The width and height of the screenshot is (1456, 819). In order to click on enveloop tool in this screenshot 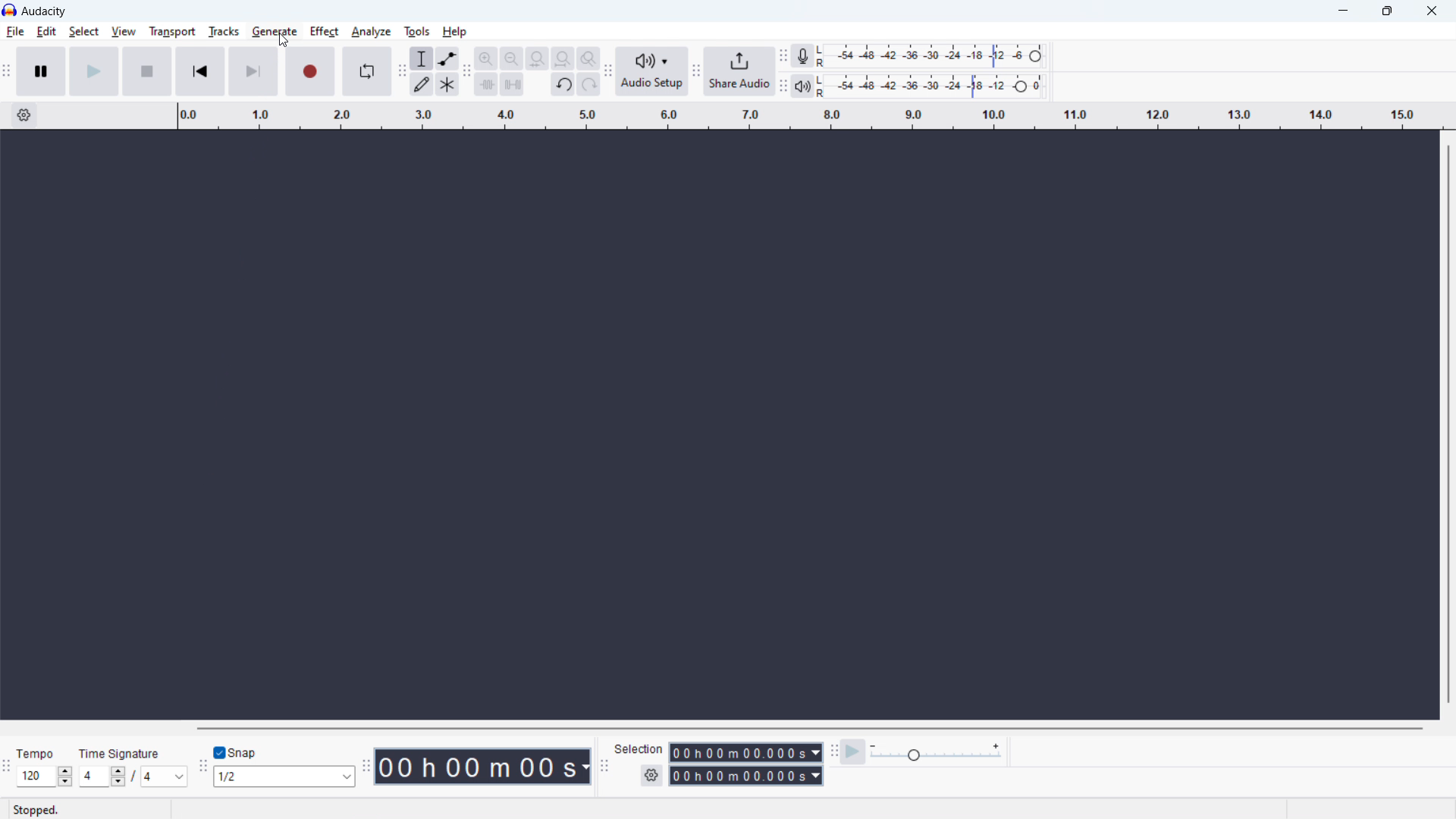, I will do `click(447, 58)`.